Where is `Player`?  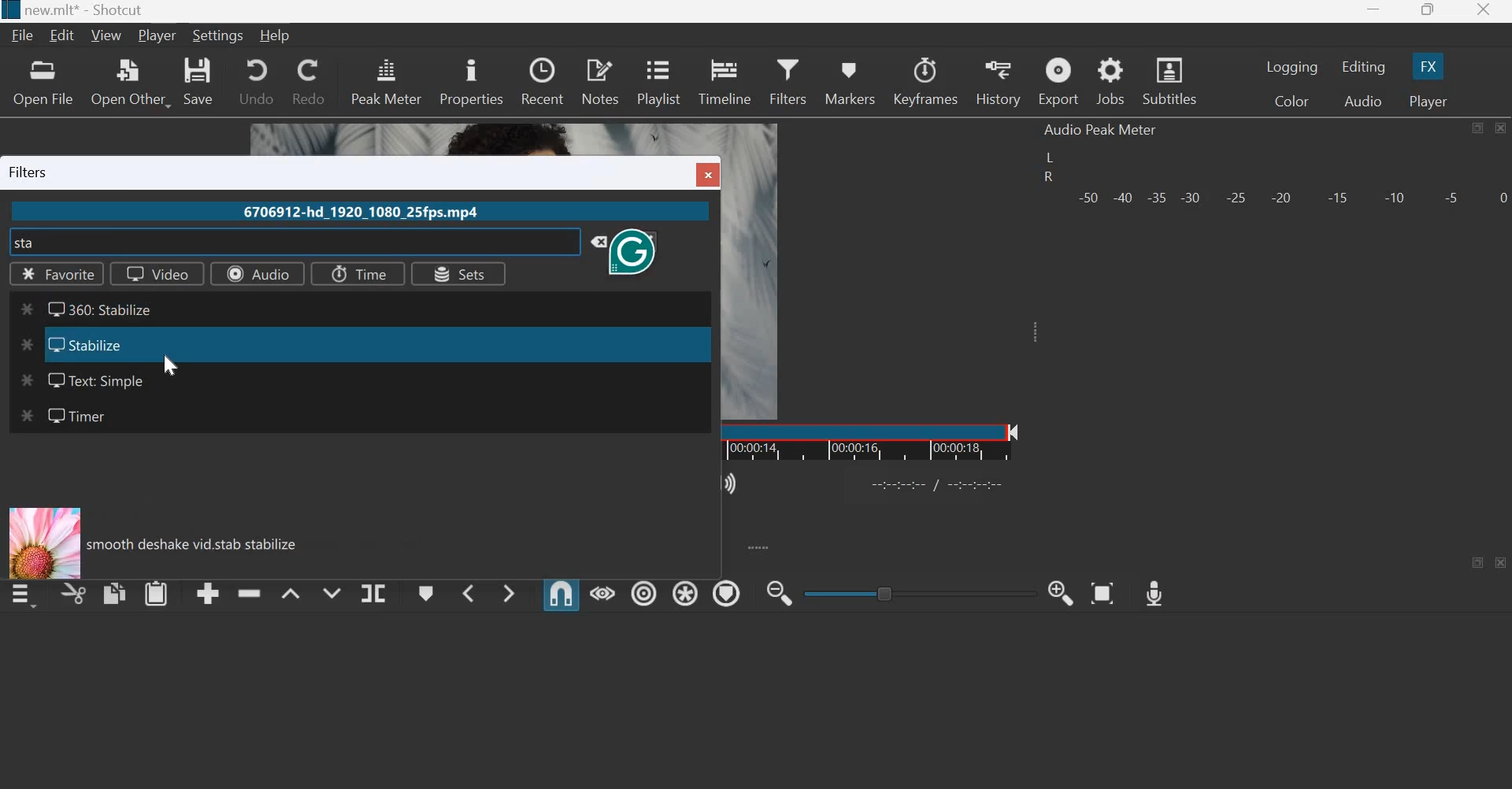 Player is located at coordinates (157, 36).